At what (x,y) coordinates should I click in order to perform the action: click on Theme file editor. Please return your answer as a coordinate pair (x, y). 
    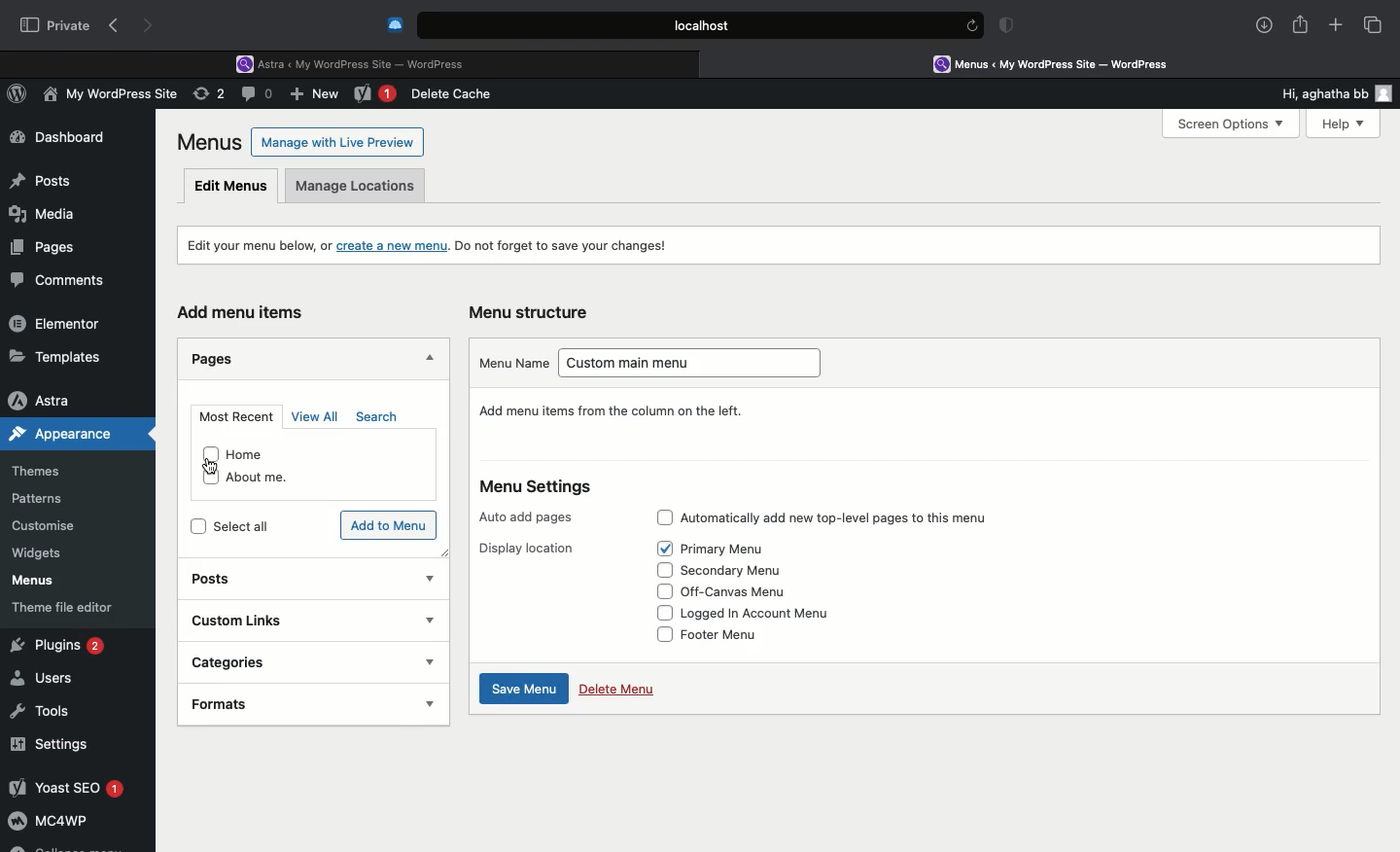
    Looking at the image, I should click on (70, 607).